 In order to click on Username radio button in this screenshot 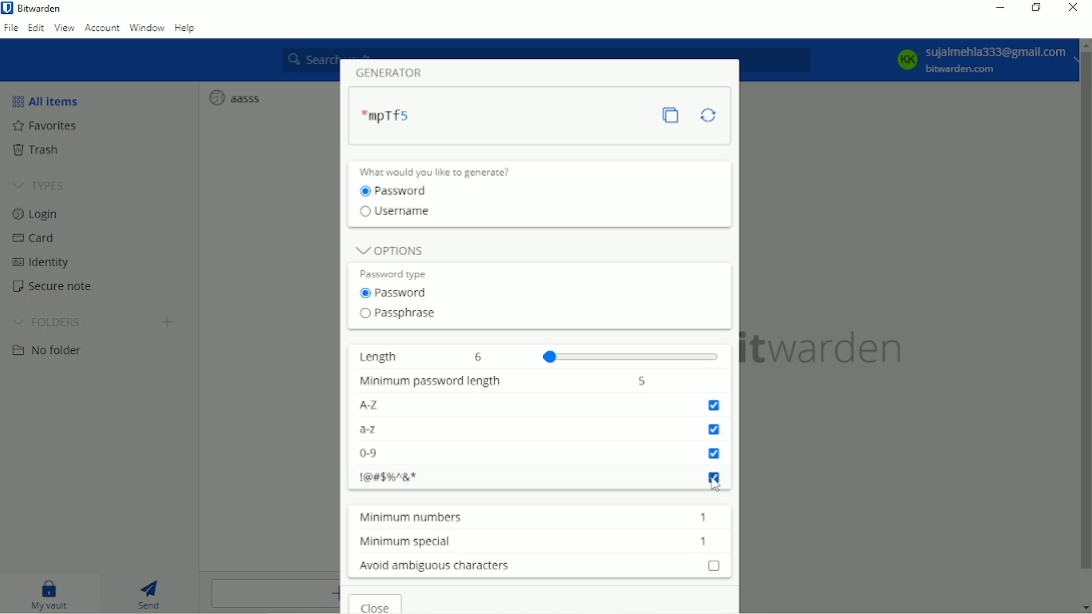, I will do `click(398, 212)`.